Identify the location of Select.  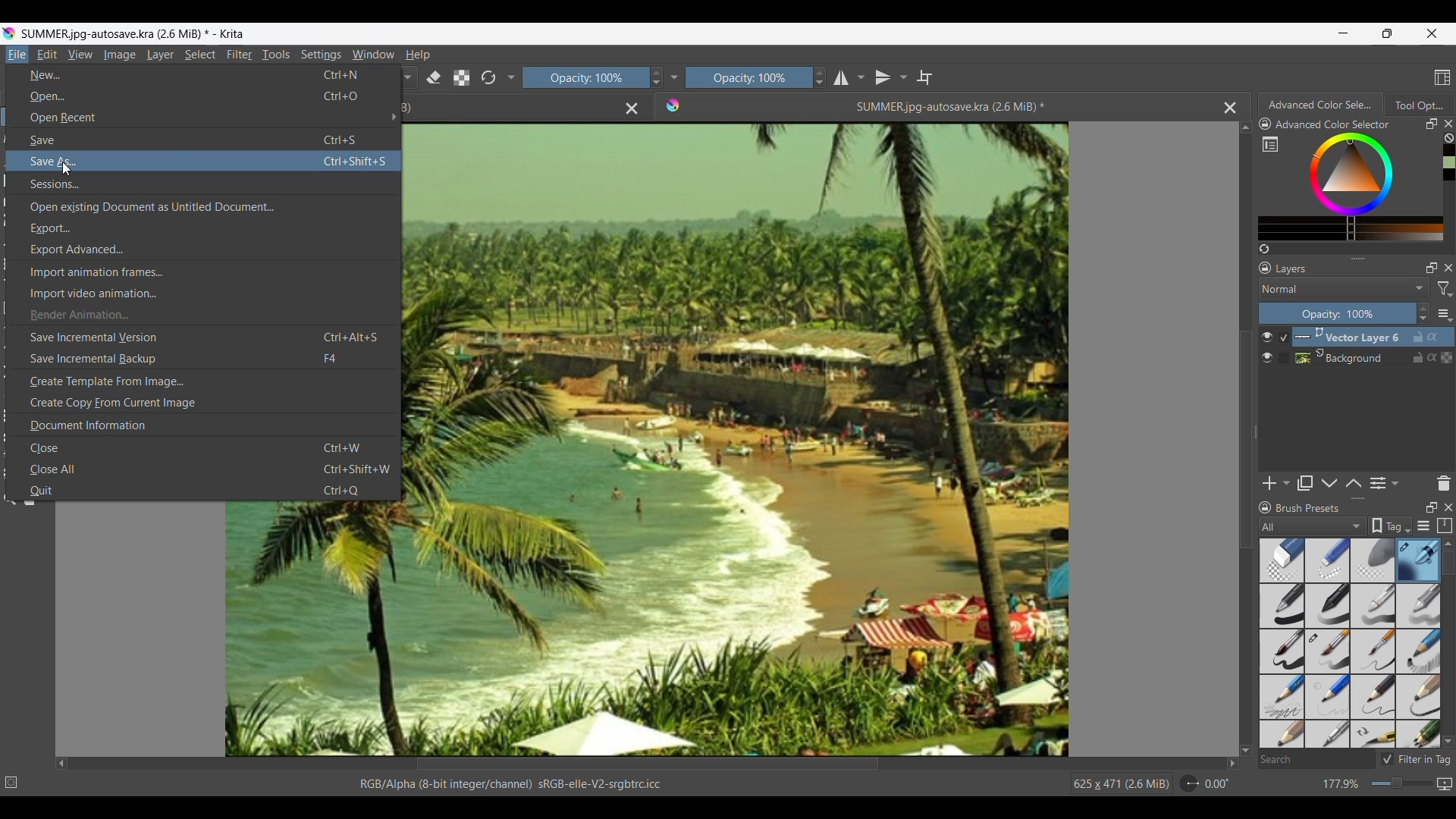
(200, 55).